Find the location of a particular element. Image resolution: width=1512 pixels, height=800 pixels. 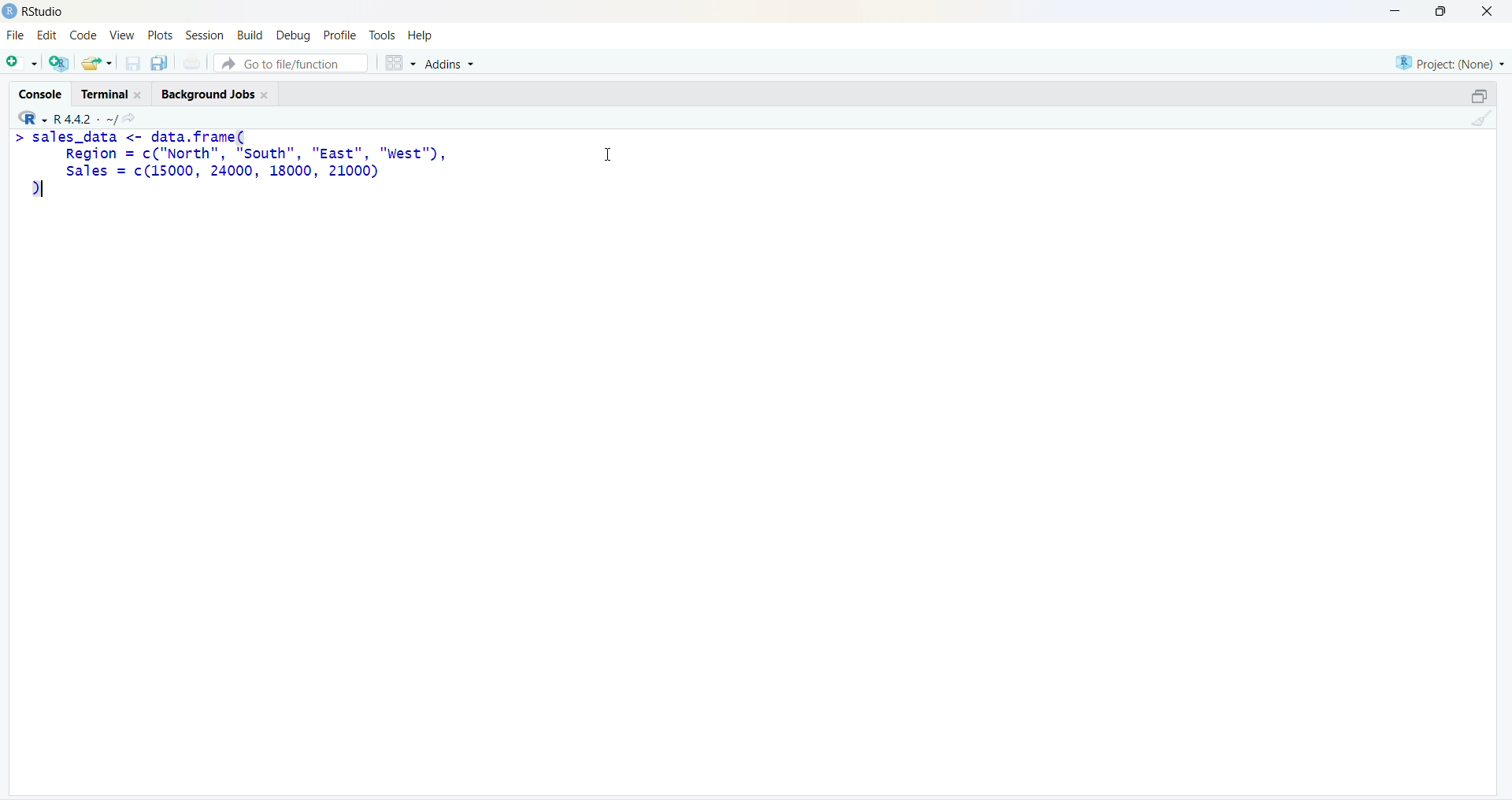

Console is located at coordinates (37, 91).